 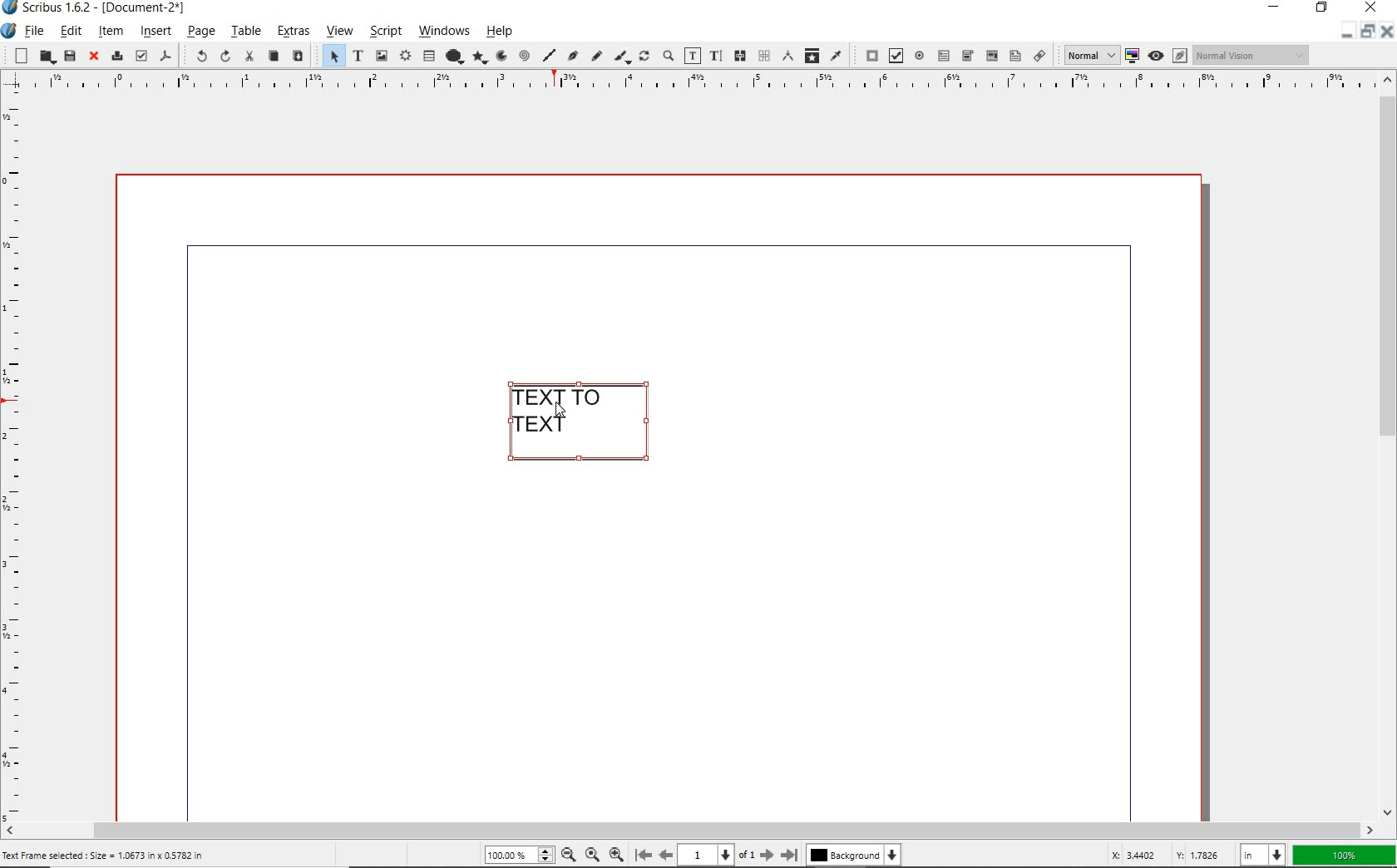 What do you see at coordinates (573, 854) in the screenshot?
I see `zoom out` at bounding box center [573, 854].